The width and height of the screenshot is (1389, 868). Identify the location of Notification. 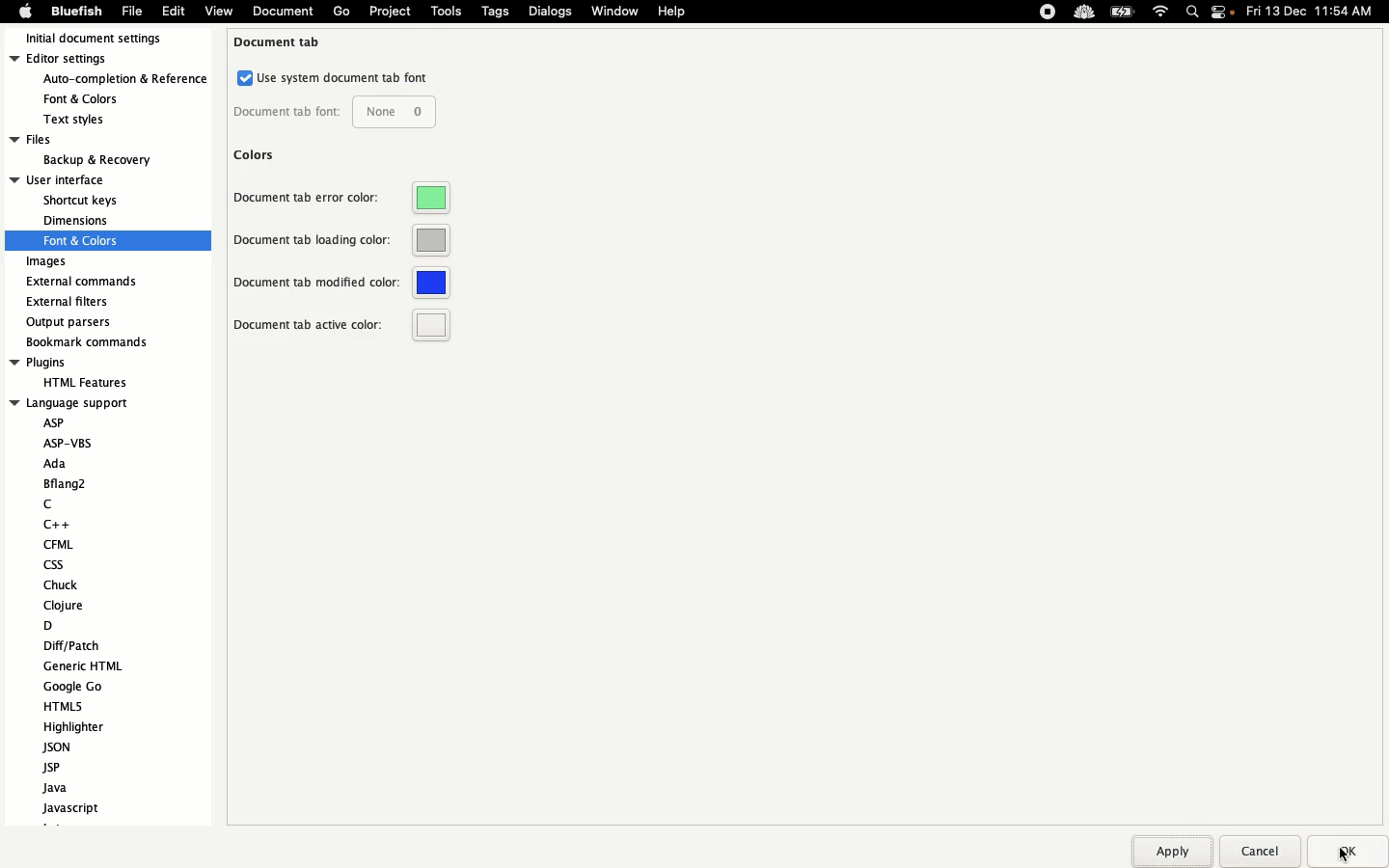
(1224, 14).